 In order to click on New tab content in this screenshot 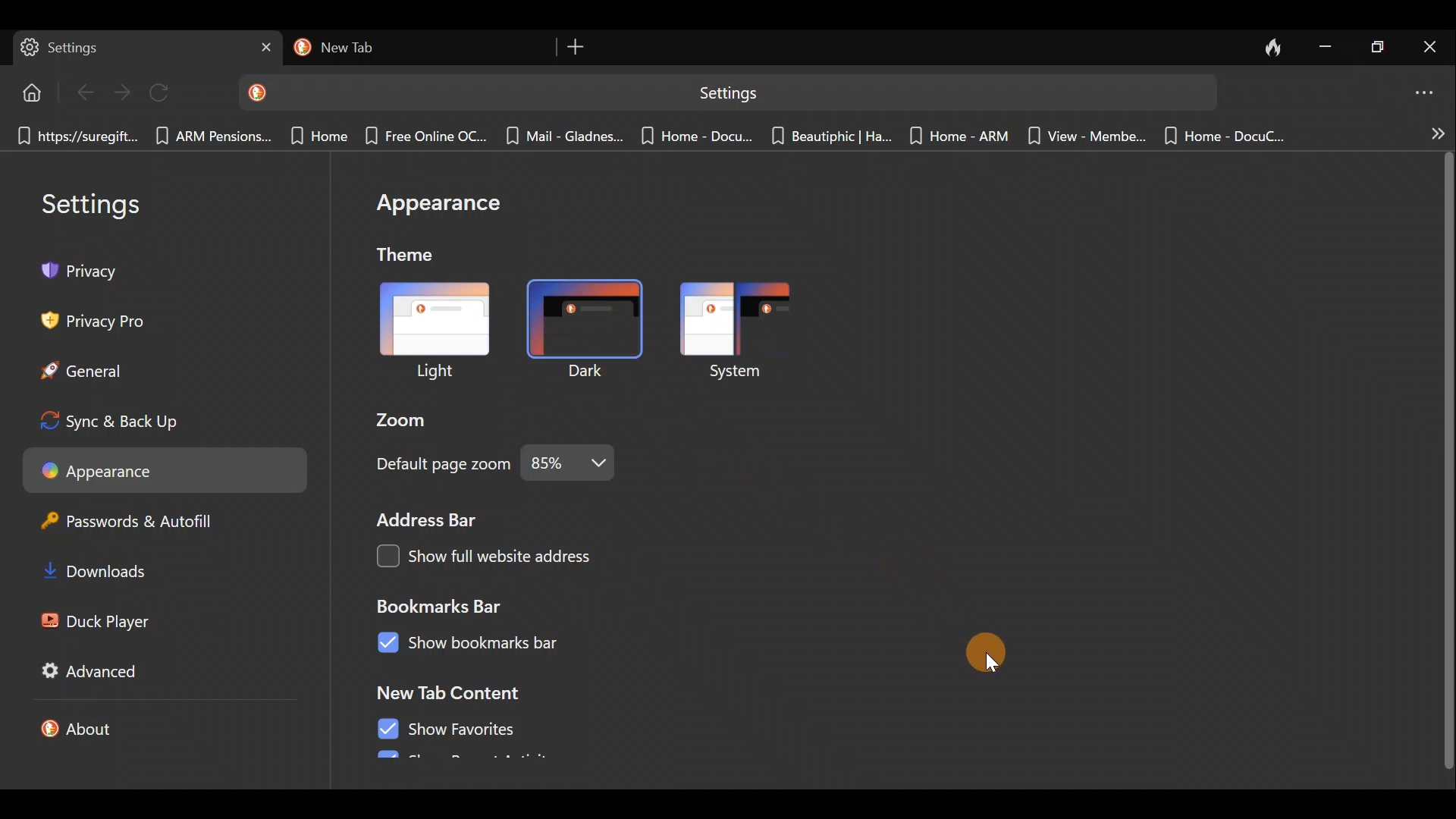, I will do `click(472, 693)`.